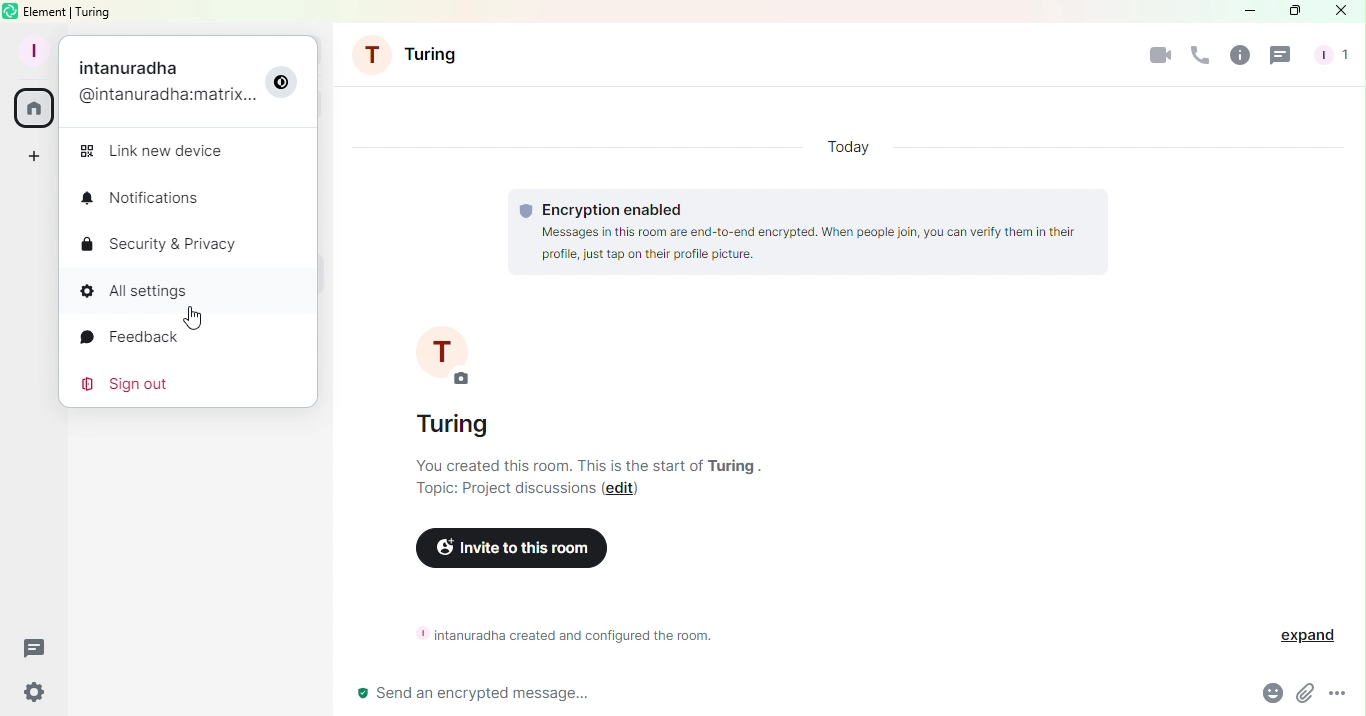 This screenshot has width=1366, height=716. What do you see at coordinates (1342, 10) in the screenshot?
I see `Close` at bounding box center [1342, 10].